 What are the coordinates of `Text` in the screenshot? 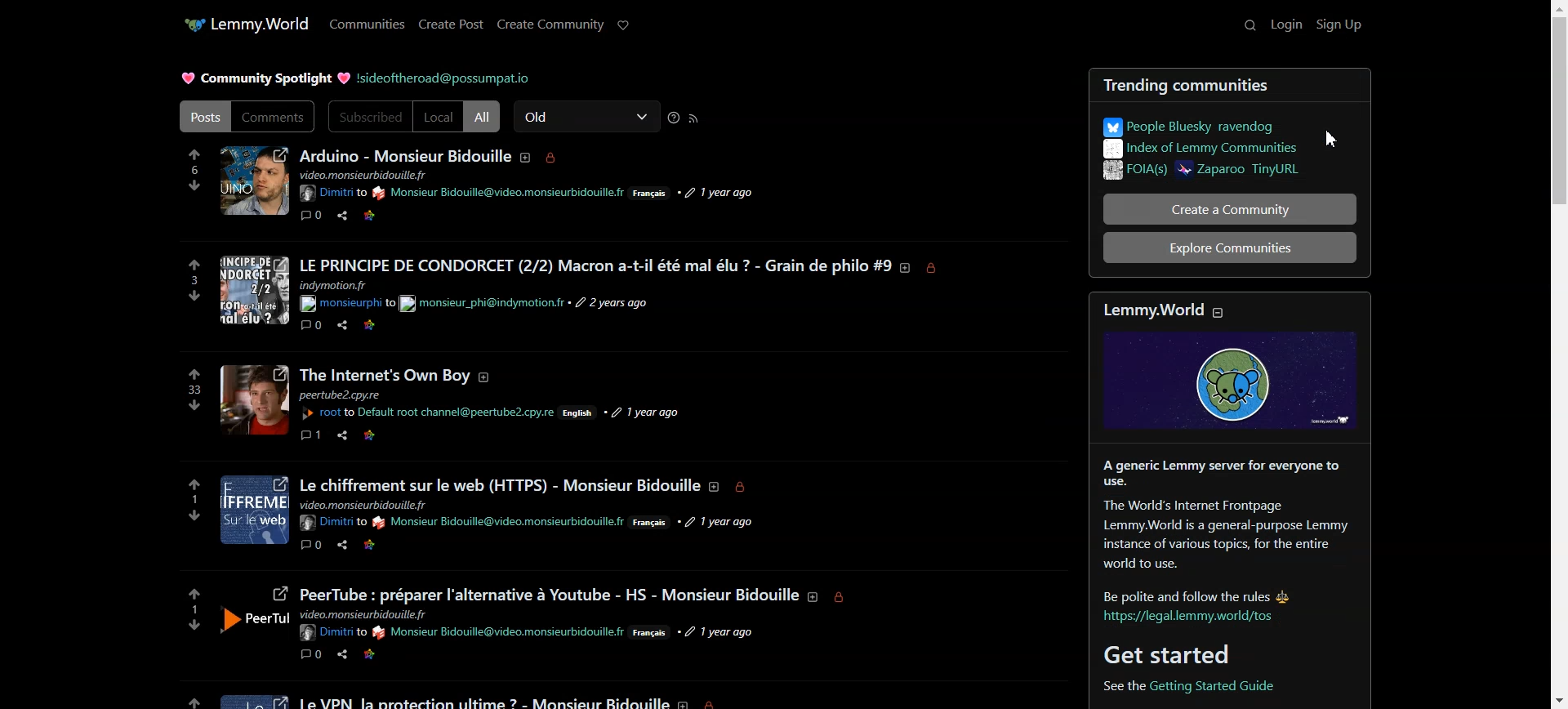 It's located at (264, 79).